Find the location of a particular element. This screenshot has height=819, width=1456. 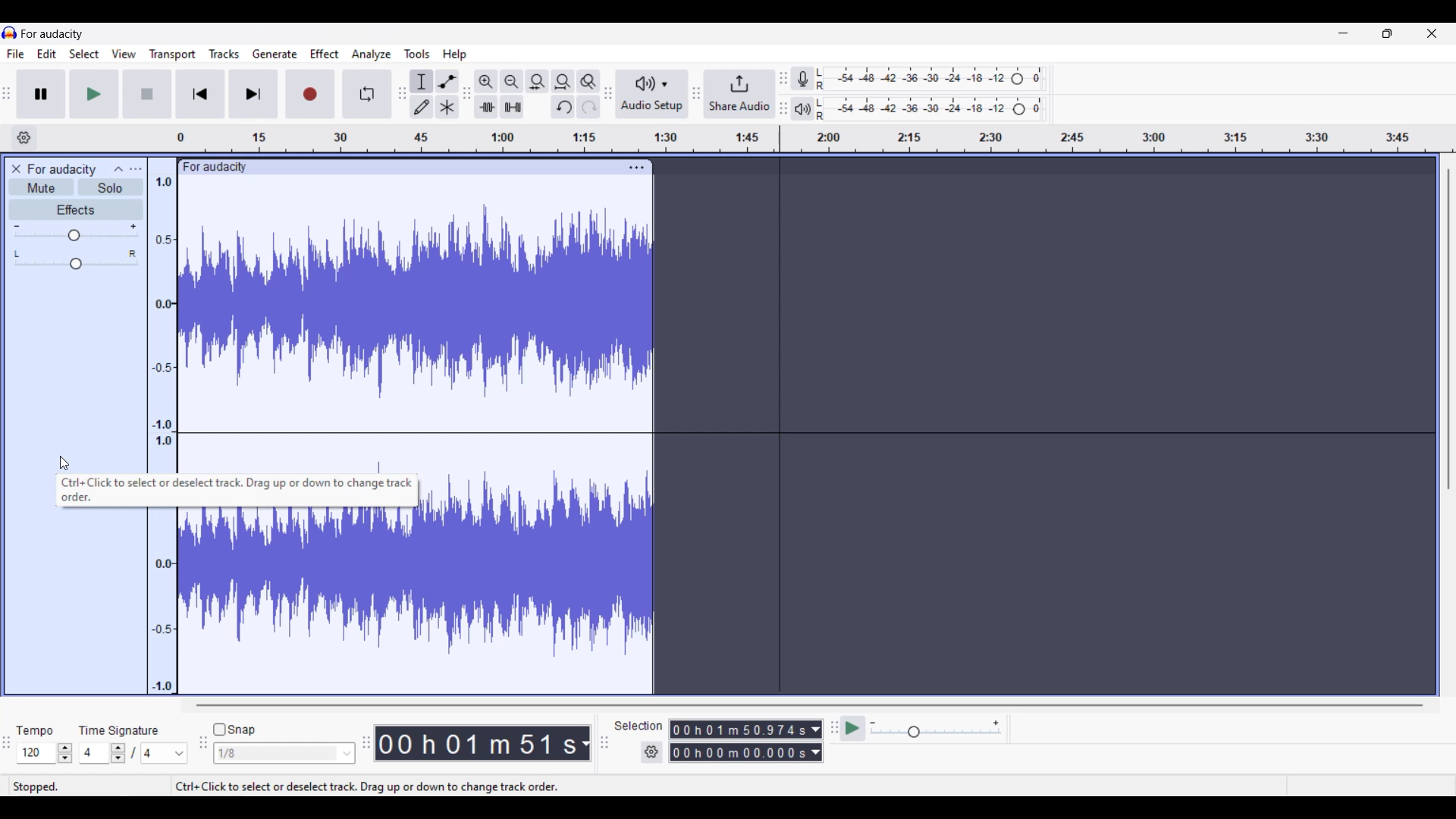

for audacity is located at coordinates (63, 169).